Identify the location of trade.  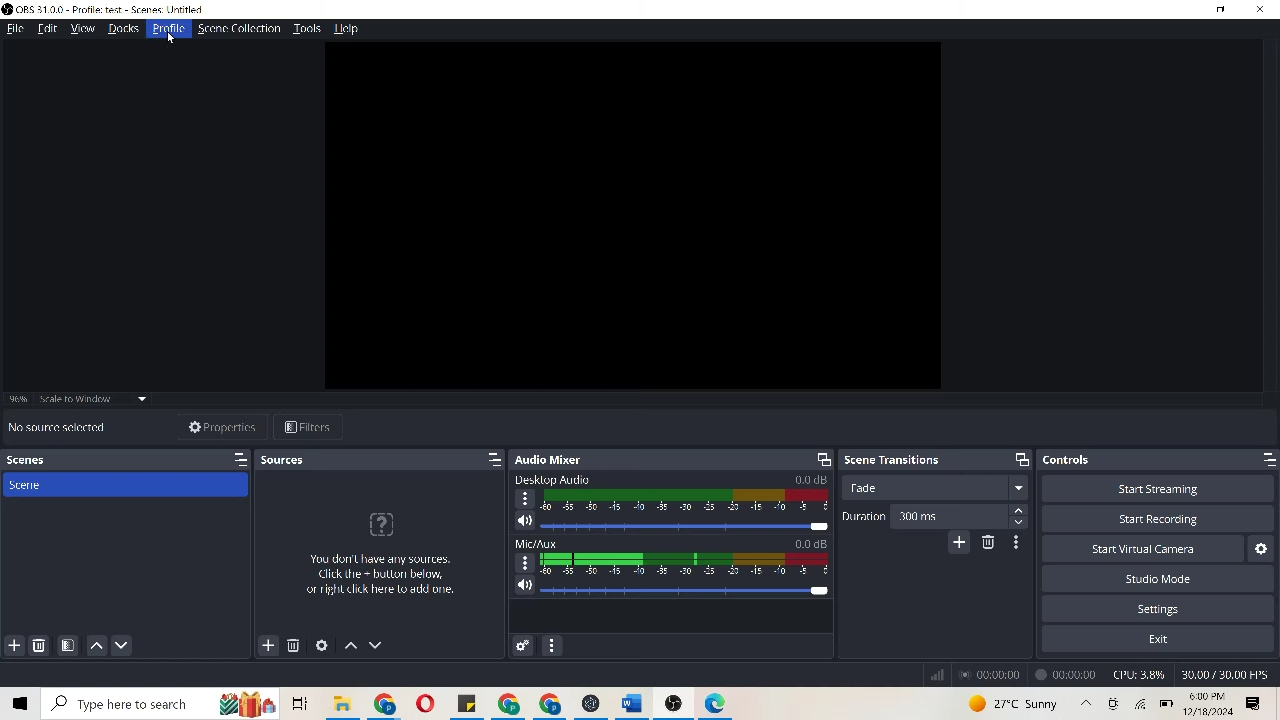
(932, 489).